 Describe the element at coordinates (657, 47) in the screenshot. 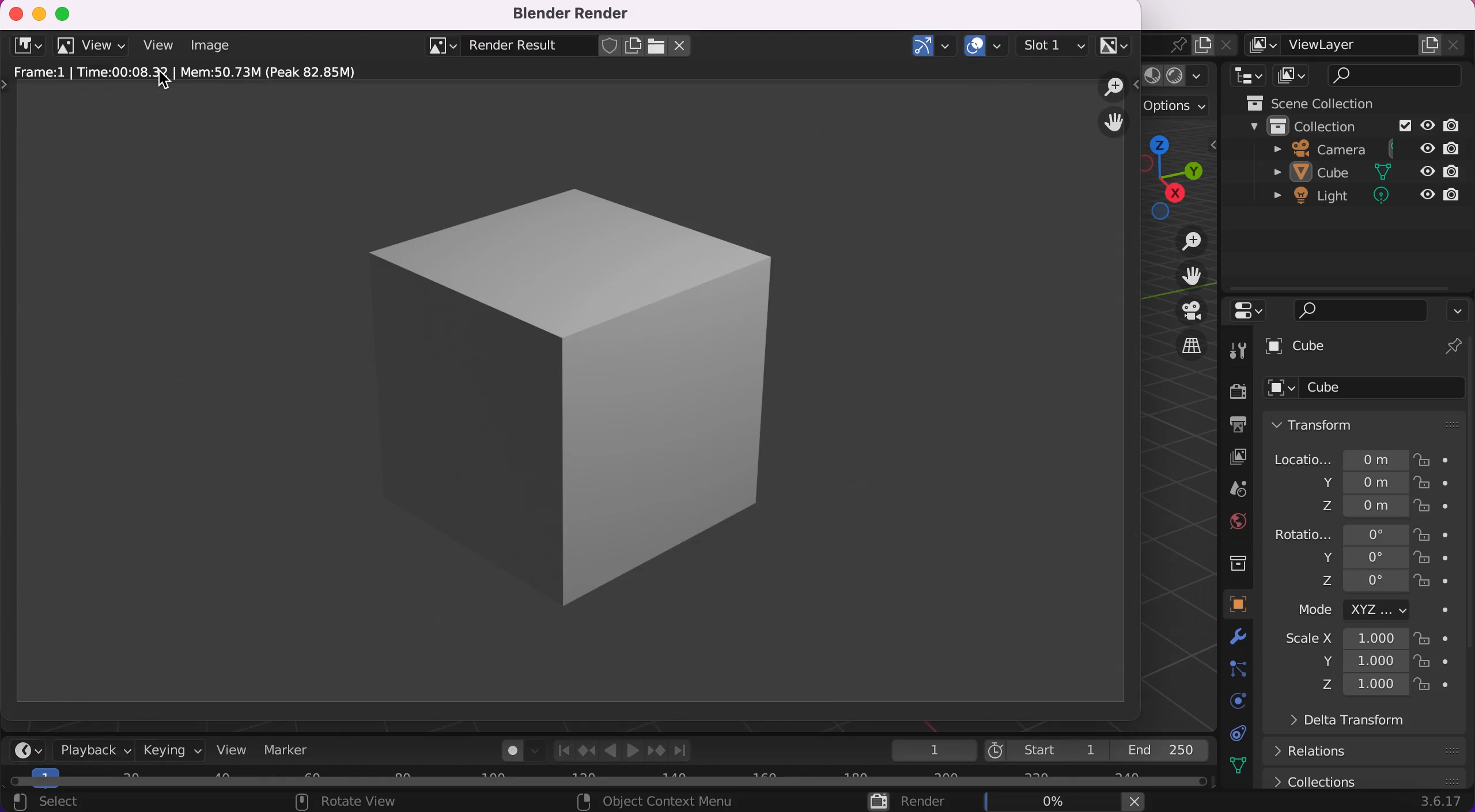

I see `open image` at that location.